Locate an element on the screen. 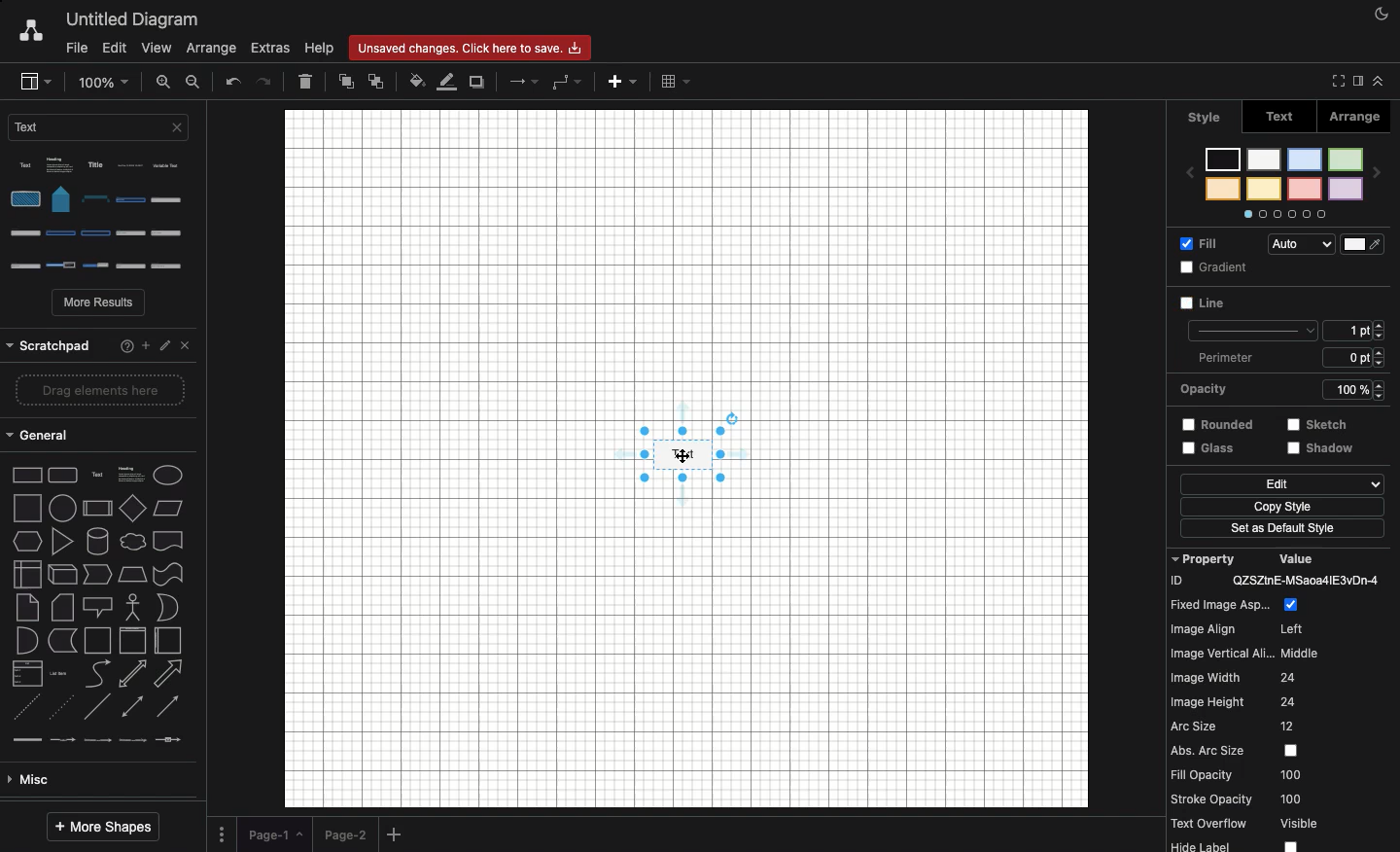 This screenshot has height=852, width=1400. View is located at coordinates (157, 50).